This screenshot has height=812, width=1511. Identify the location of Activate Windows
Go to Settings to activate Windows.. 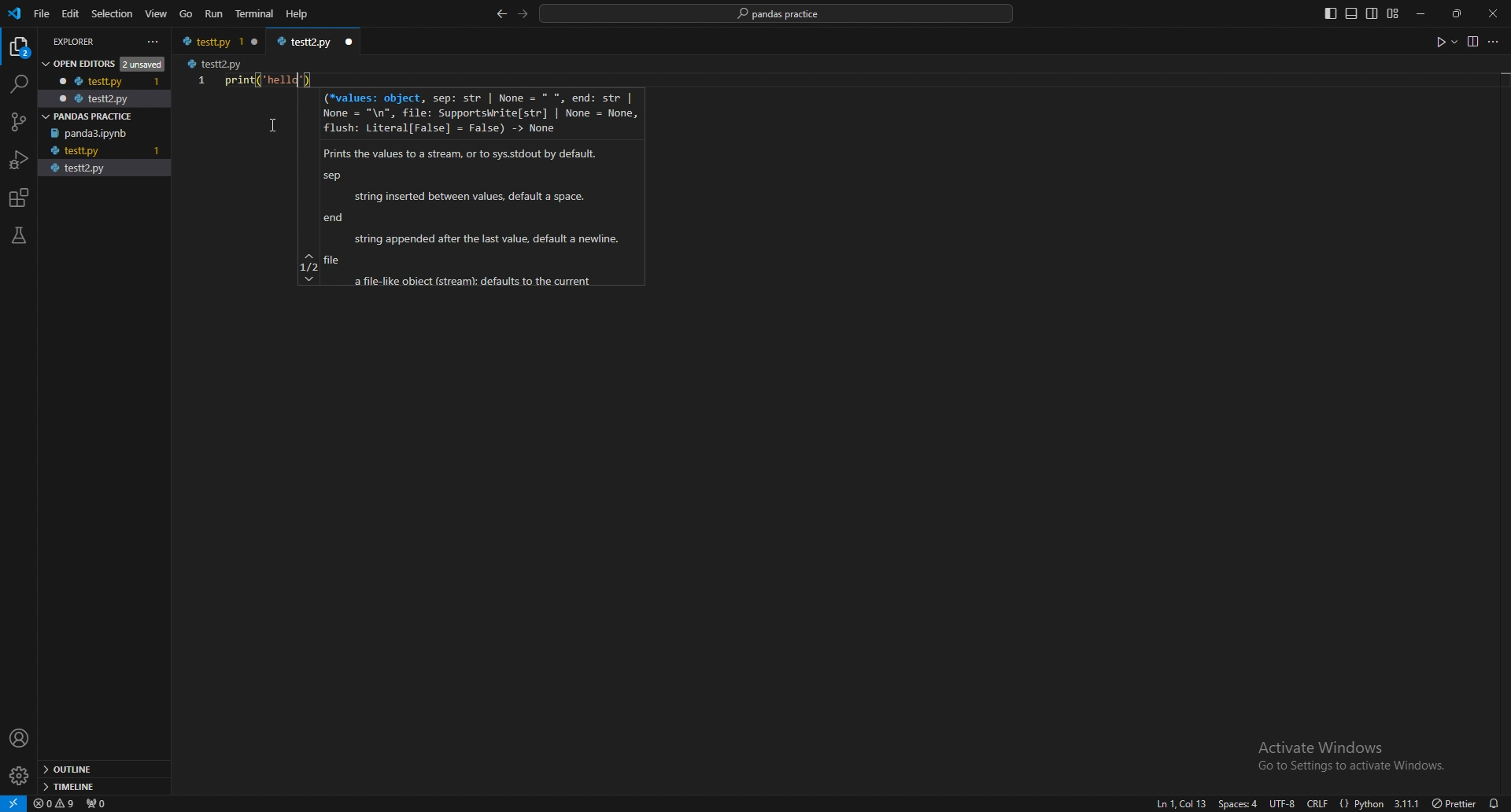
(1346, 755).